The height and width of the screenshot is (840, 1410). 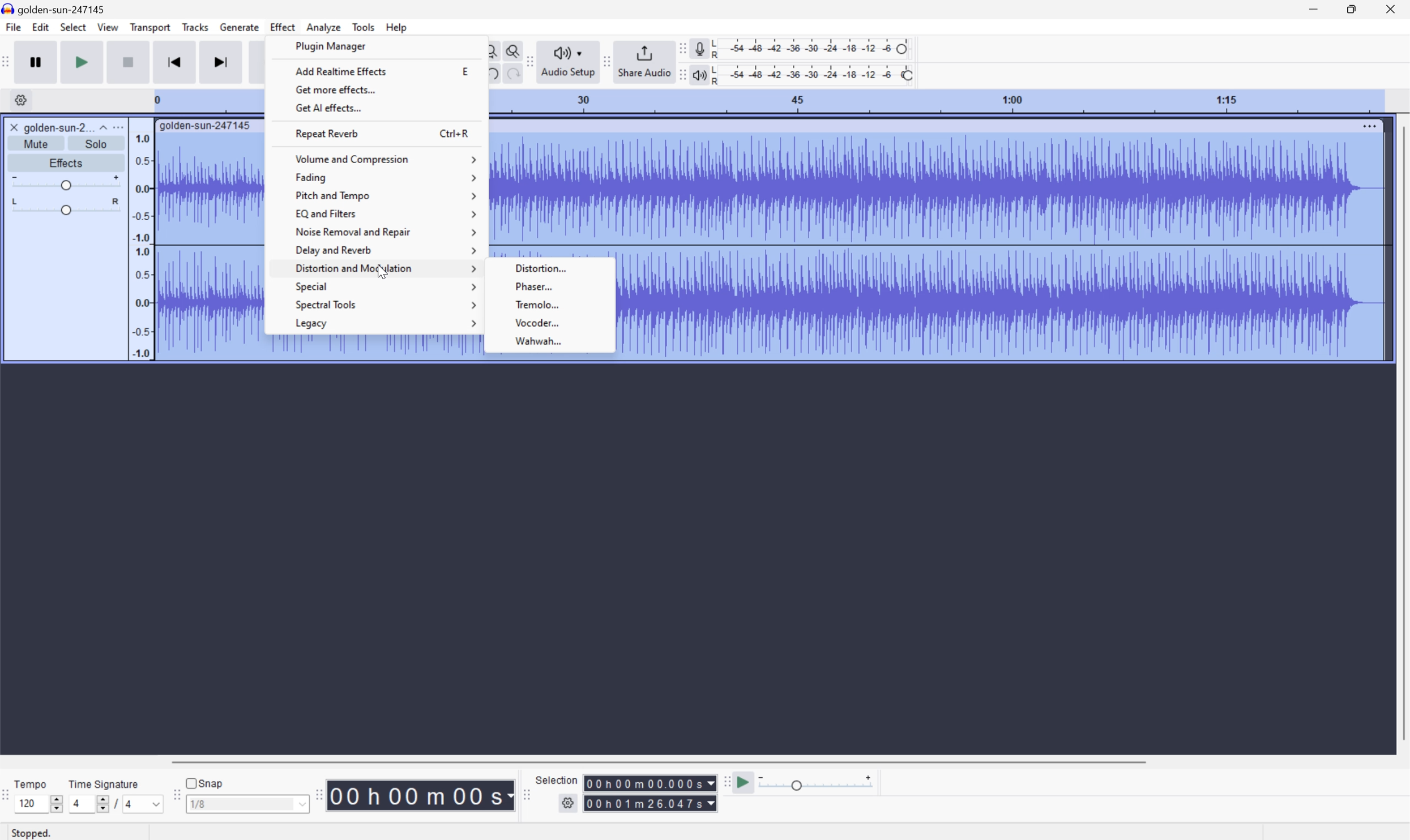 What do you see at coordinates (813, 48) in the screenshot?
I see `Recording level: 62%` at bounding box center [813, 48].